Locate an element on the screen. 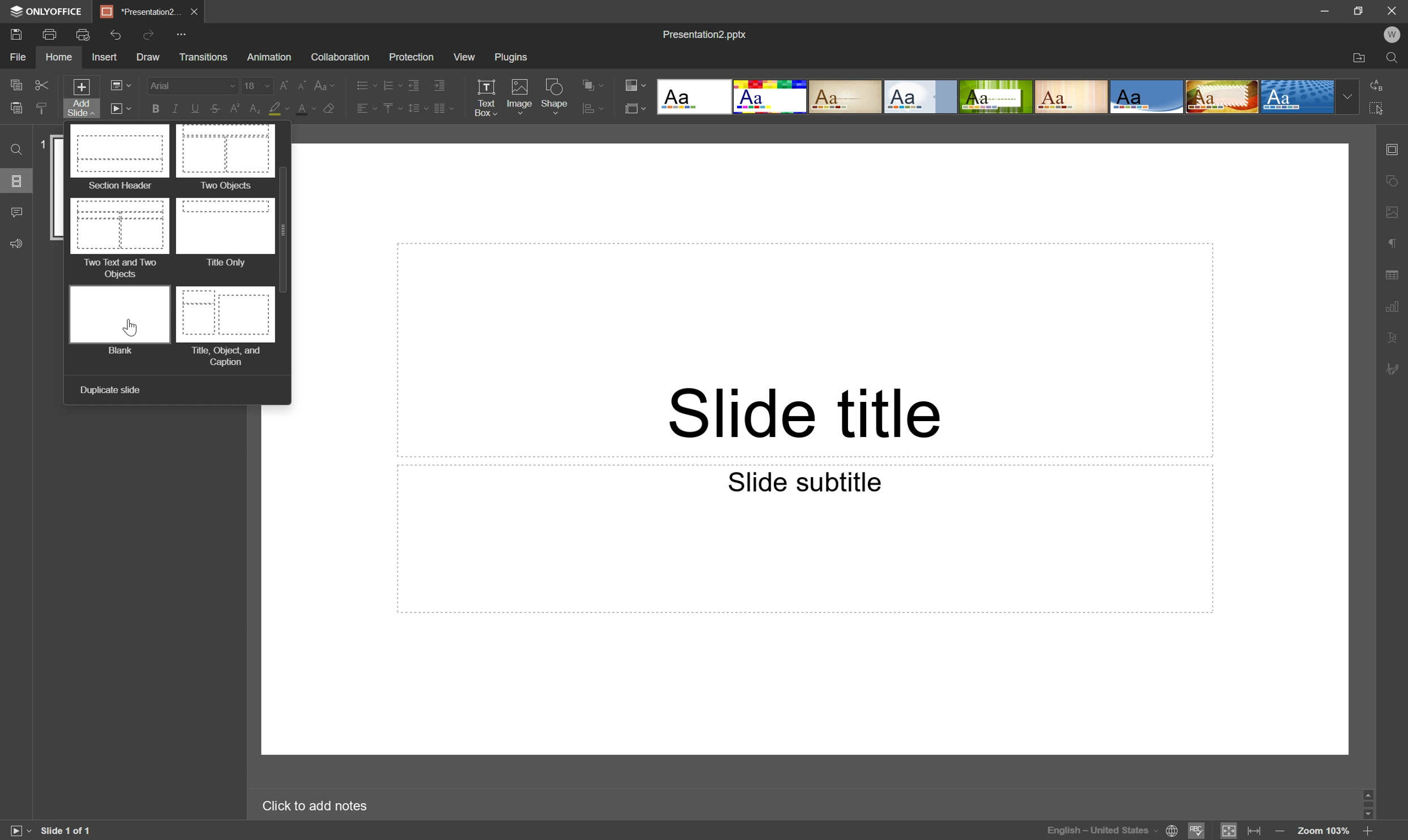 This screenshot has width=1408, height=840. Select slide layout is located at coordinates (636, 107).